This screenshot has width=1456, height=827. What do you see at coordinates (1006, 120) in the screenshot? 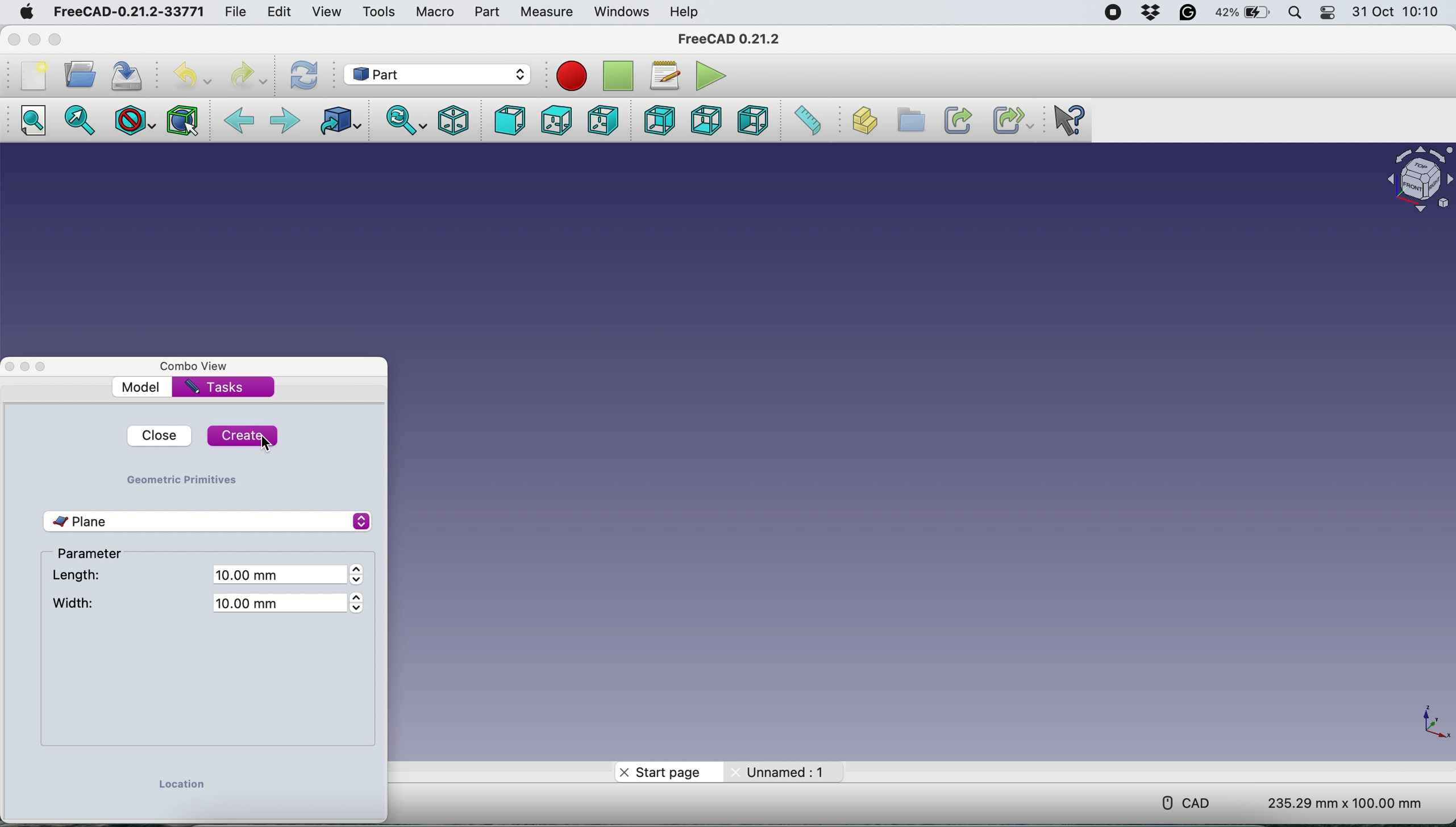
I see `Make sub-link` at bounding box center [1006, 120].